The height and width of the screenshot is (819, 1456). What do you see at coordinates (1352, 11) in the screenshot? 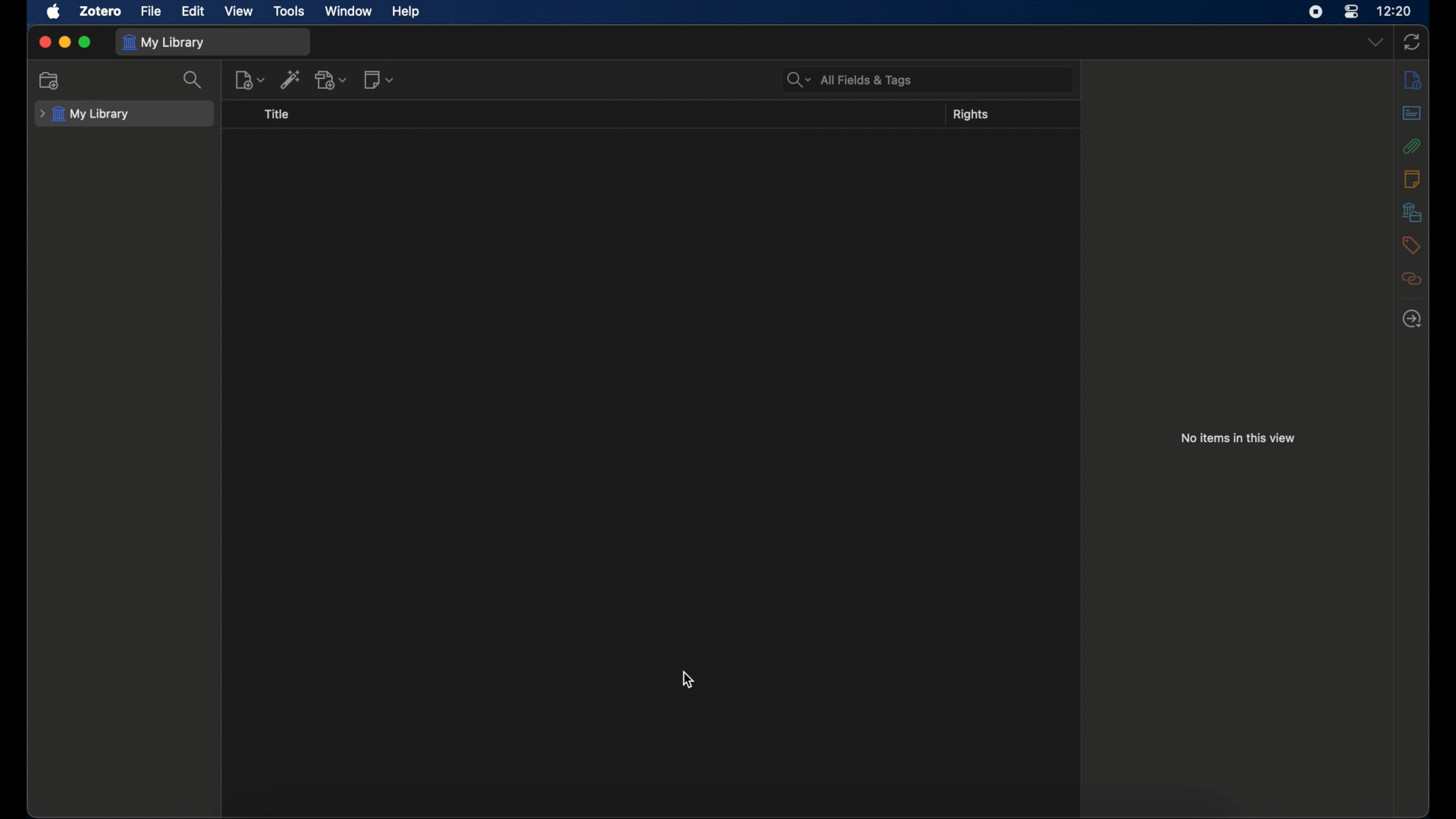
I see `control center` at bounding box center [1352, 11].